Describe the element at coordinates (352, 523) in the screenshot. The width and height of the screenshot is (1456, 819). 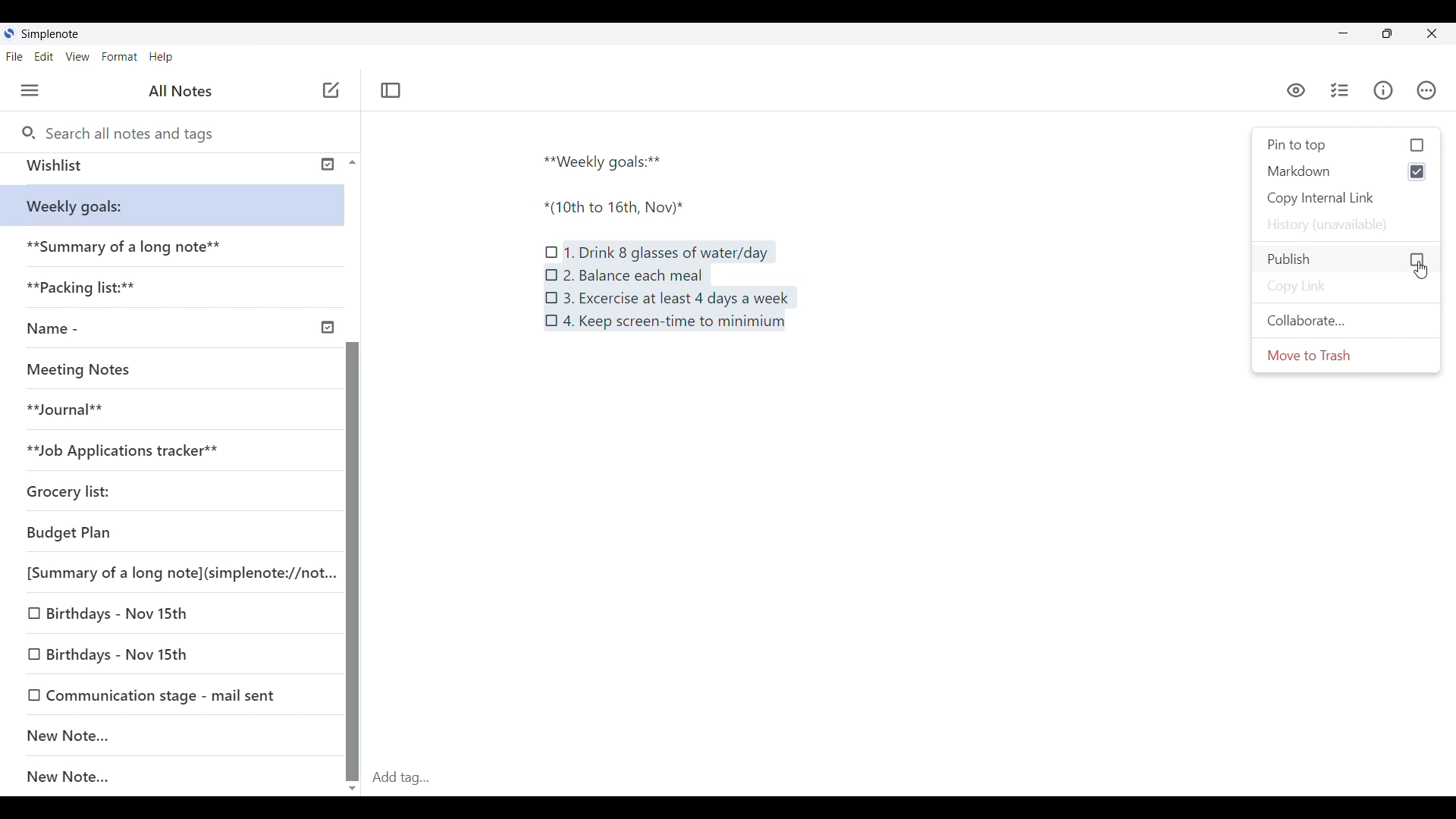
I see `Scroll bar` at that location.